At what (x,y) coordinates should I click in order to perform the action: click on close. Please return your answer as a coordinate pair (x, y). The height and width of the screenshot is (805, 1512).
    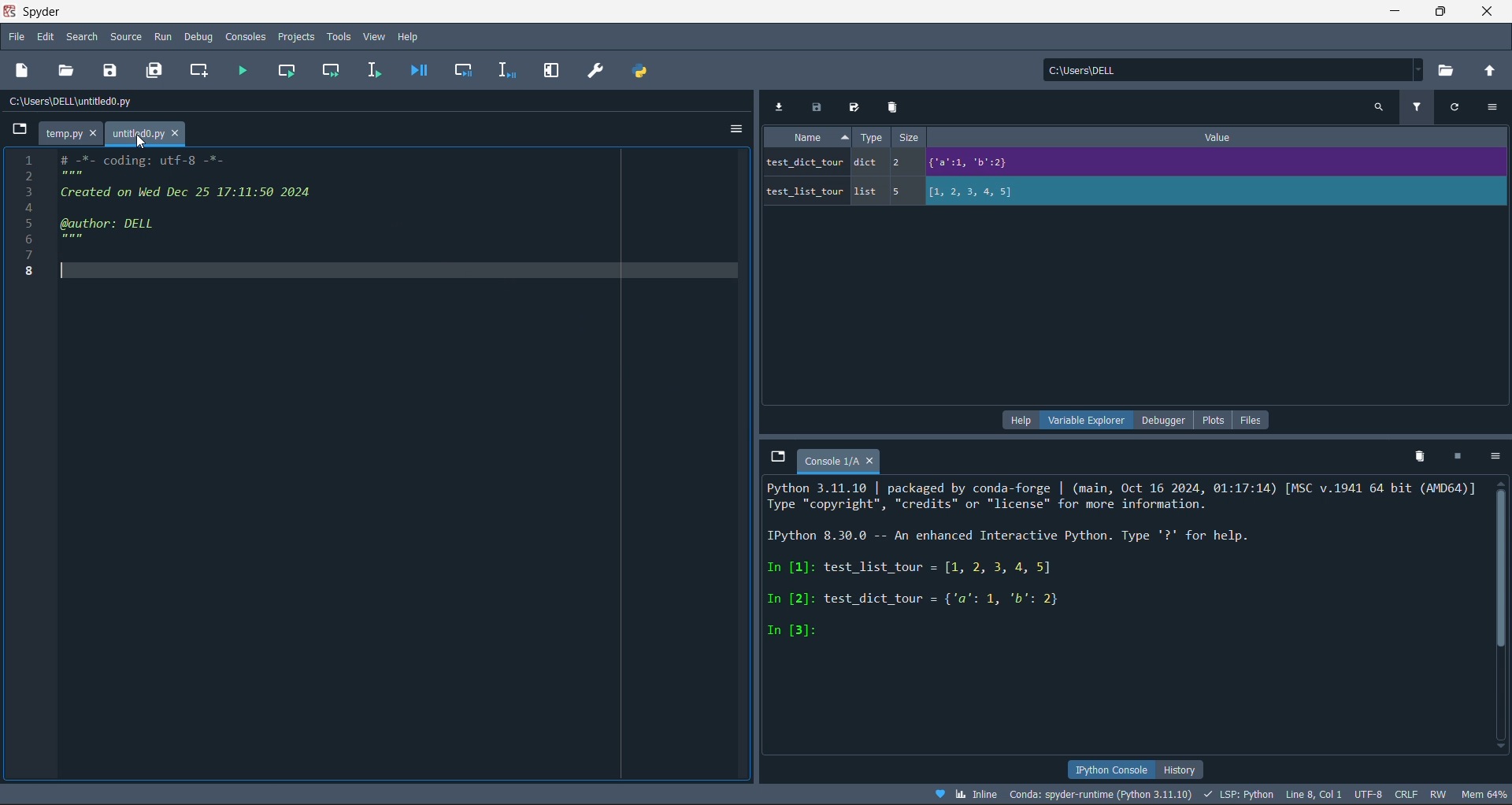
    Looking at the image, I should click on (1485, 12).